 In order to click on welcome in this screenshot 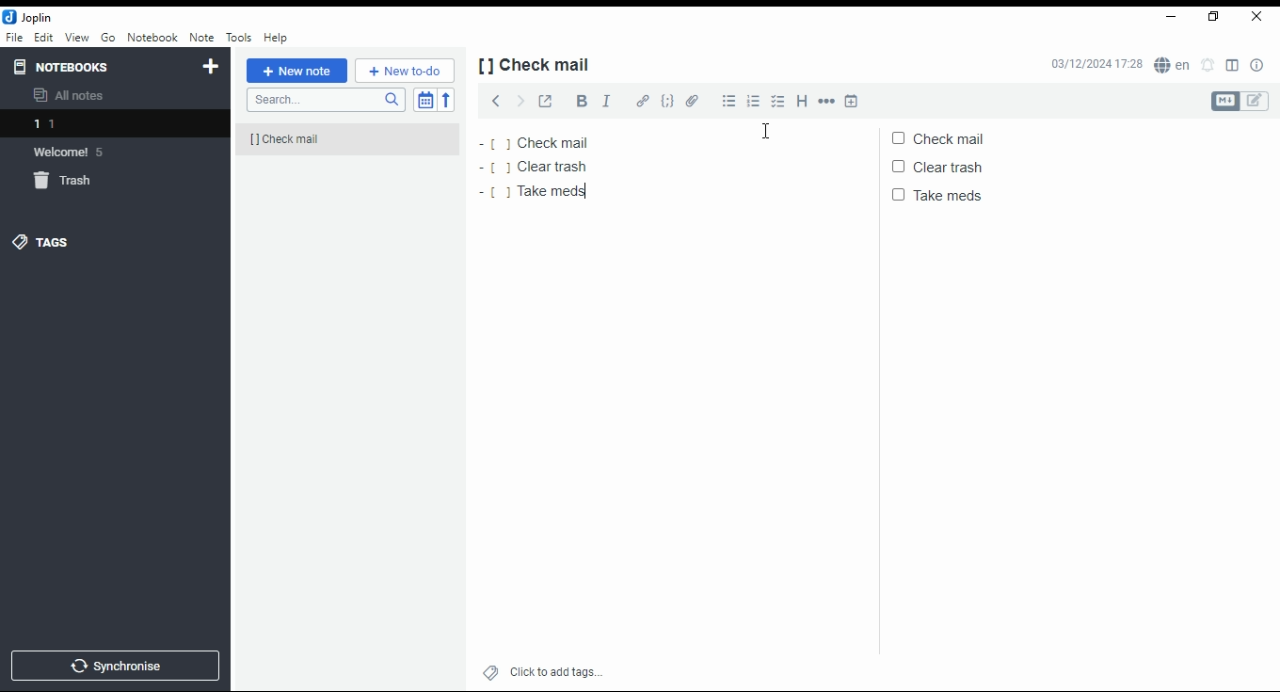, I will do `click(76, 152)`.